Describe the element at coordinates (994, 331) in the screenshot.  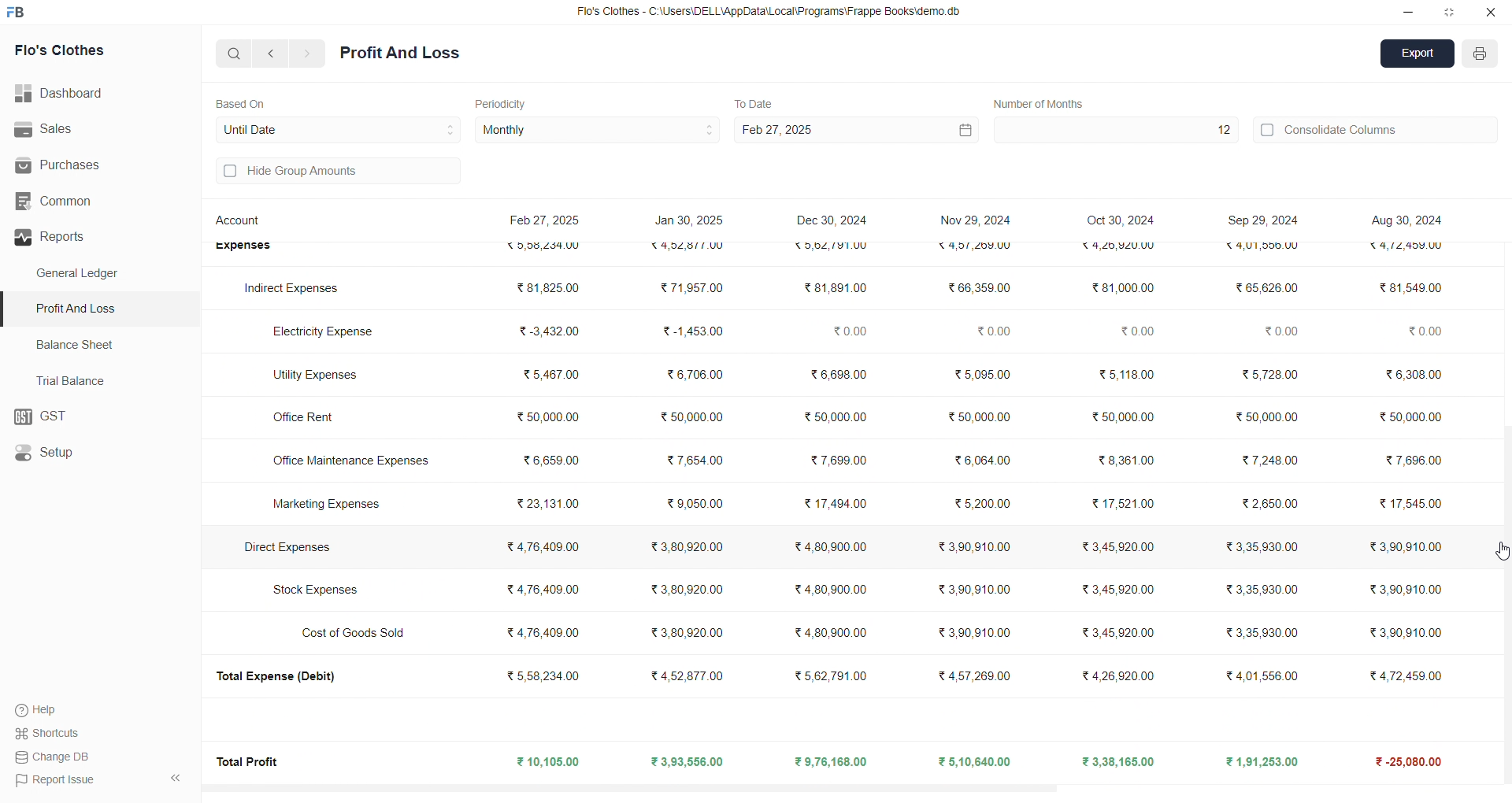
I see `₹0.00` at that location.